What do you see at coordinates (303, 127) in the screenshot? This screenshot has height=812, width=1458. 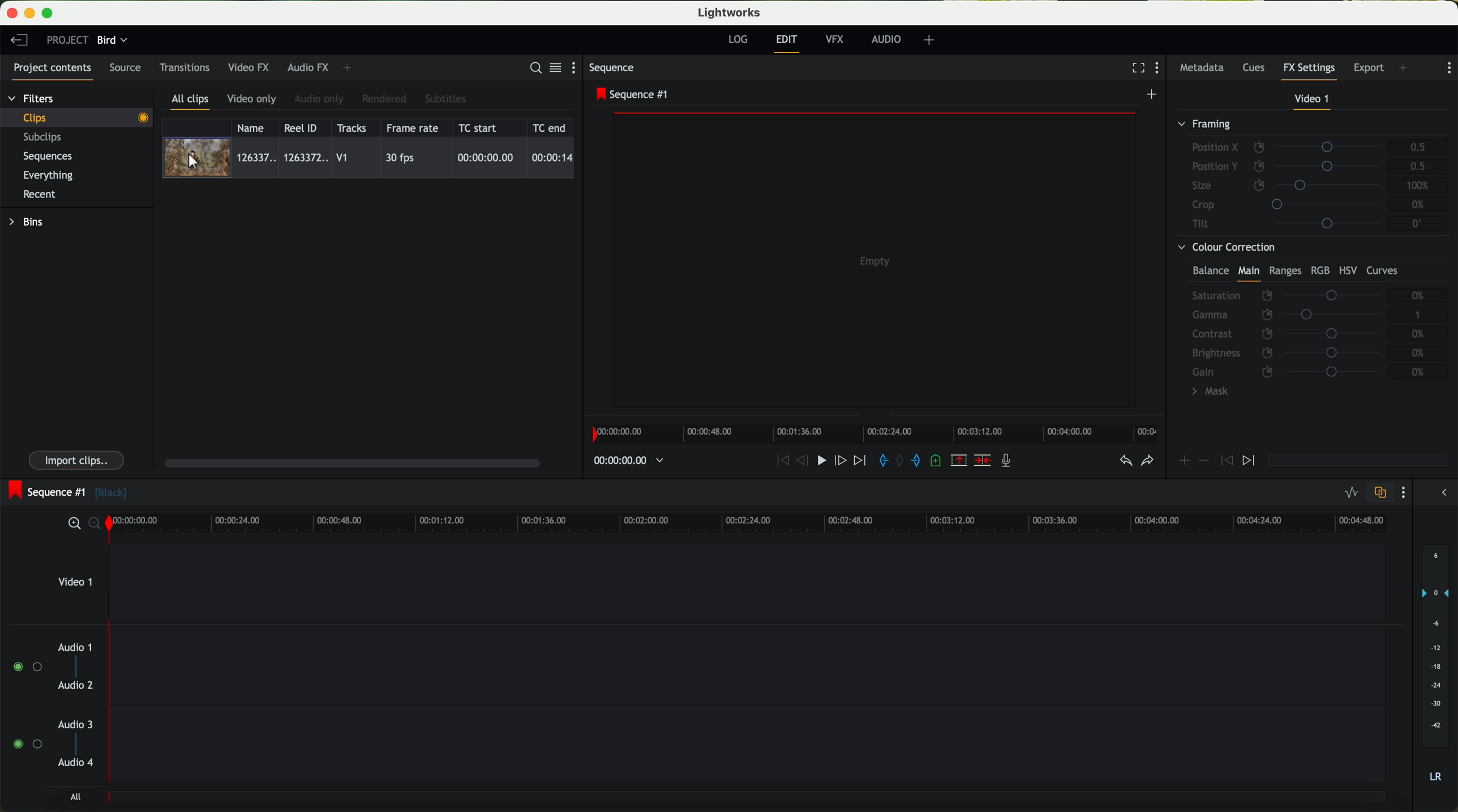 I see `Reel ID` at bounding box center [303, 127].